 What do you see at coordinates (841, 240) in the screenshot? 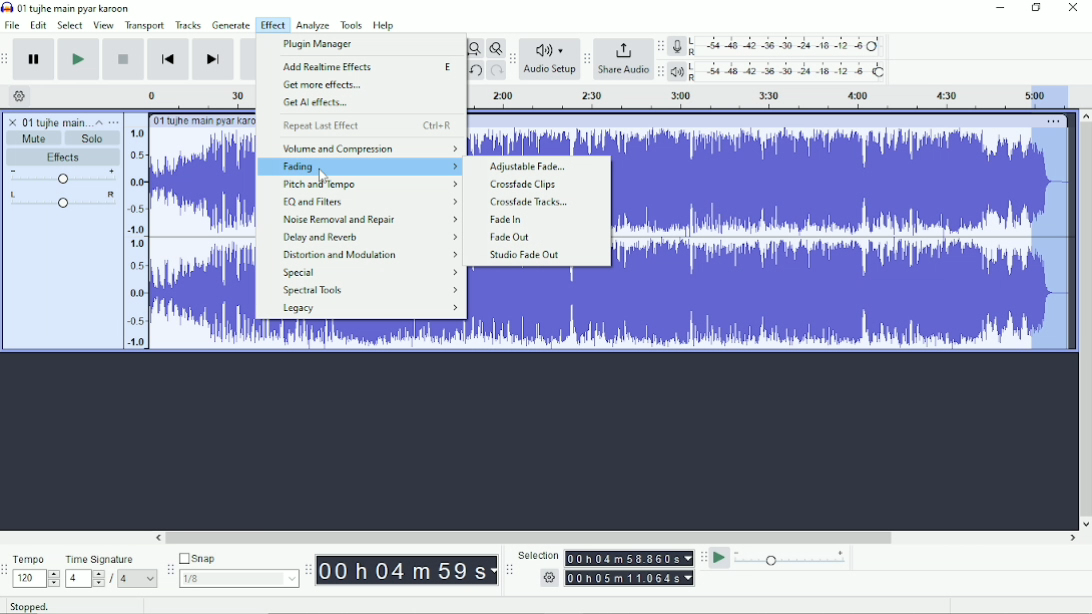
I see `Audio` at bounding box center [841, 240].